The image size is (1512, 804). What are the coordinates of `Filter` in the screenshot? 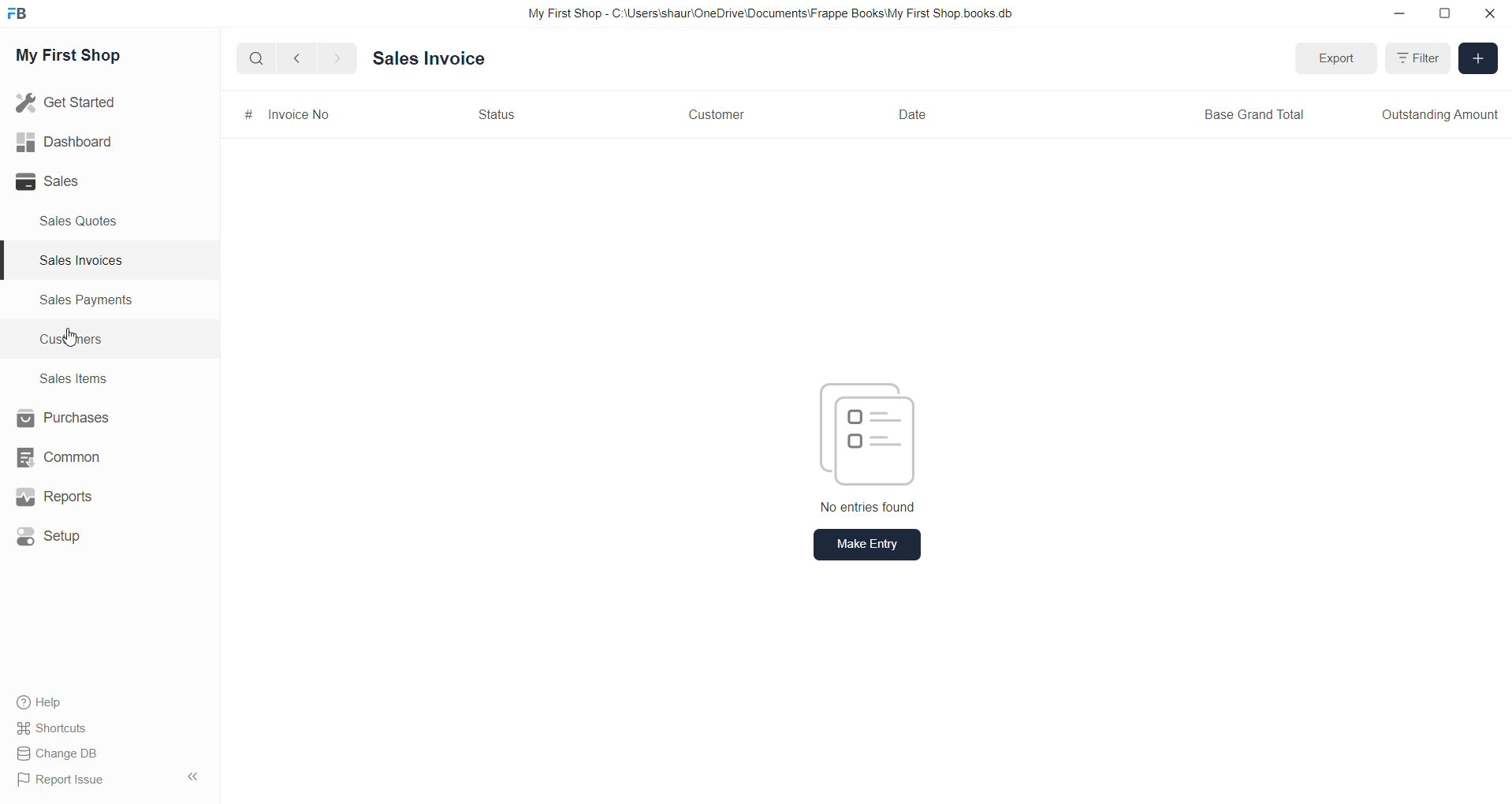 It's located at (1417, 57).